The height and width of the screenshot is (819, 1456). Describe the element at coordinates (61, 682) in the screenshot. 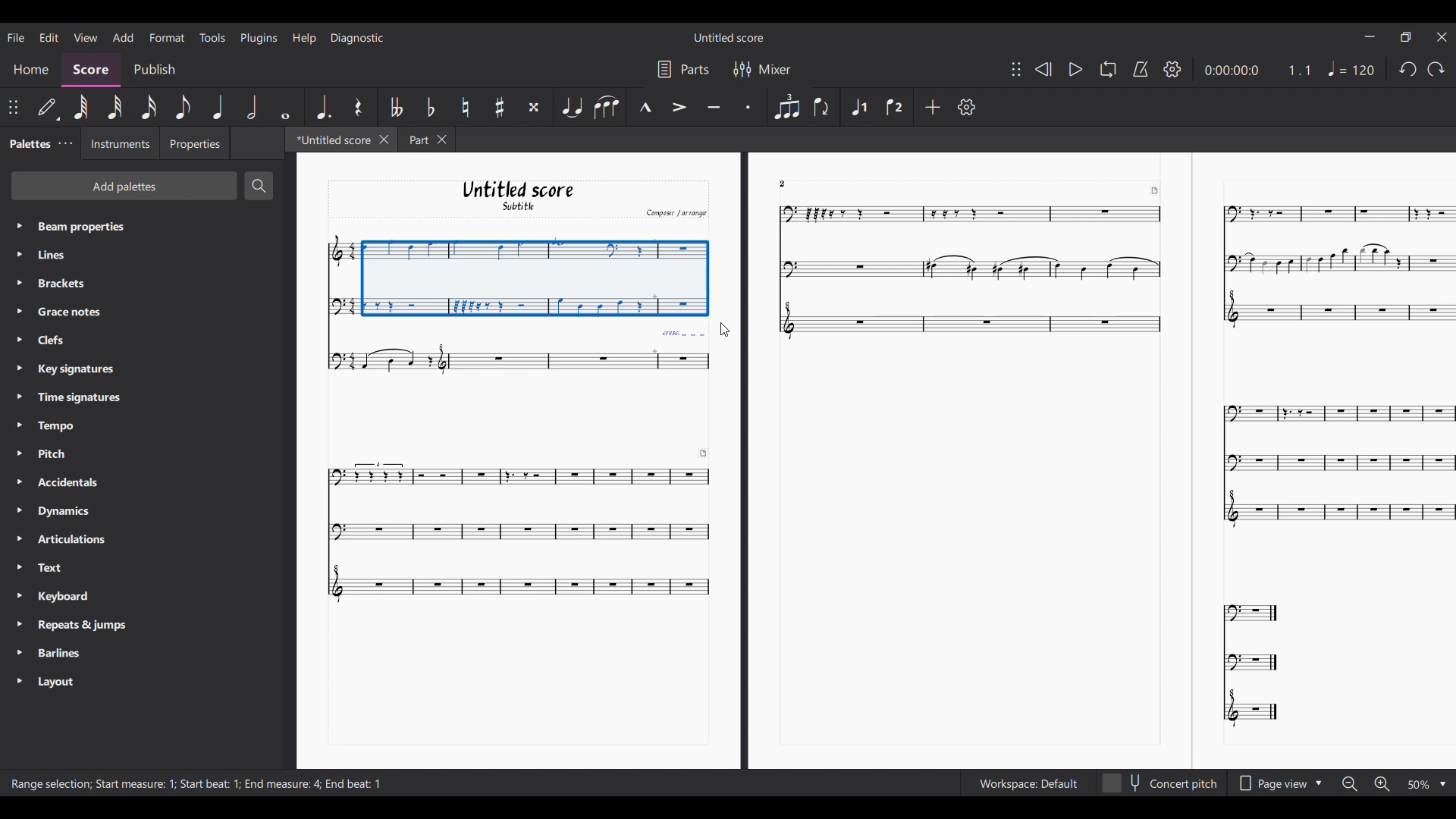

I see `Layout` at that location.